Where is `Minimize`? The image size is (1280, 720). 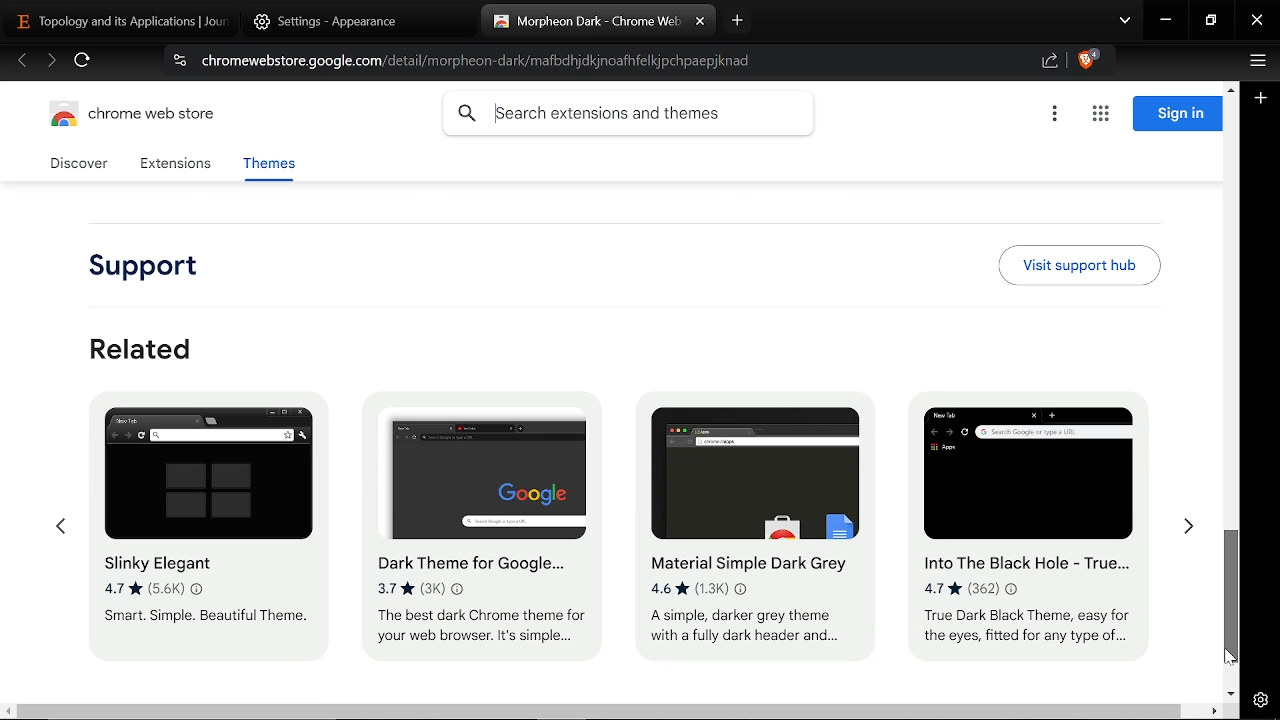
Minimize is located at coordinates (1166, 22).